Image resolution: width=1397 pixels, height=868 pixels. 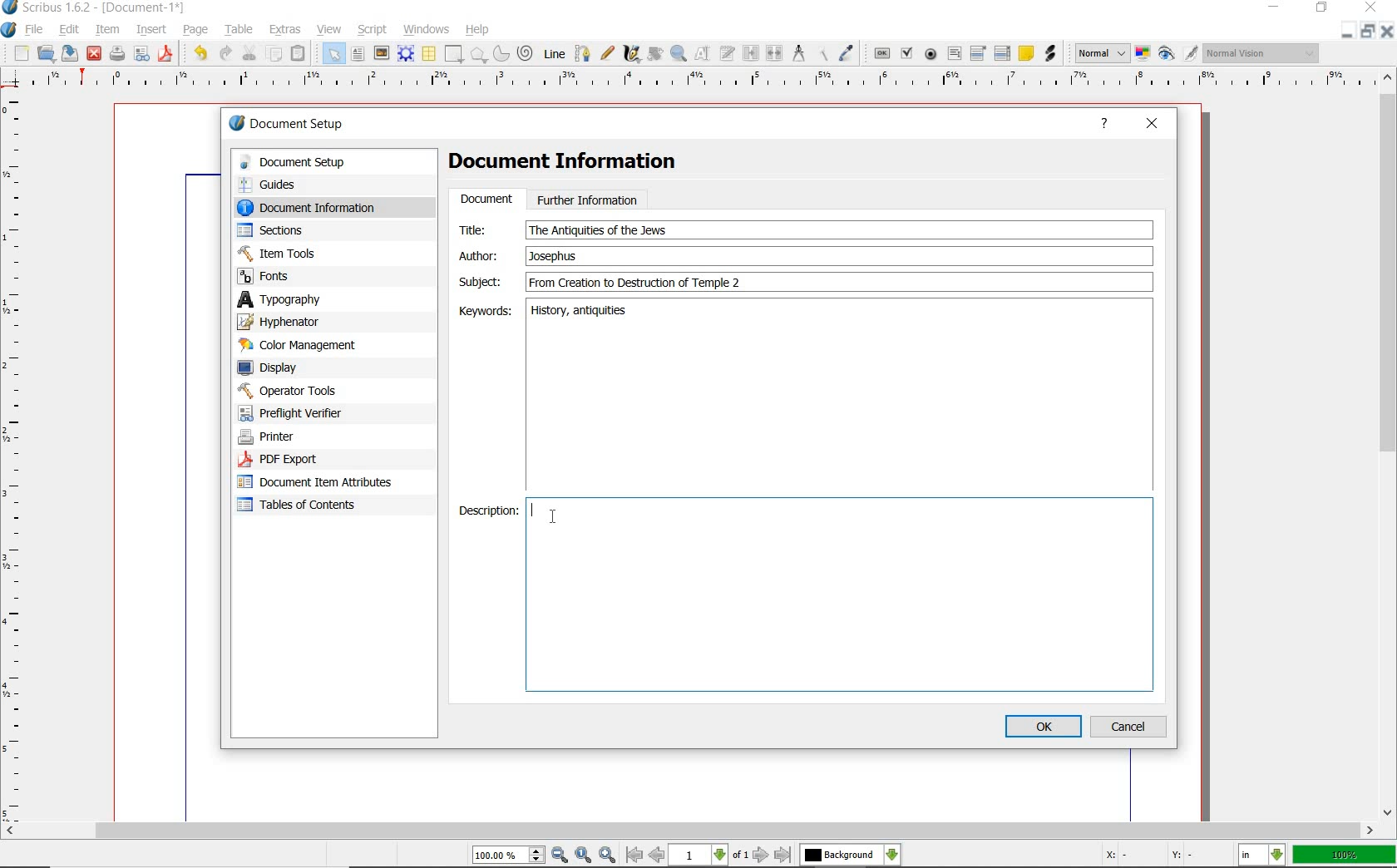 I want to click on item, so click(x=108, y=31).